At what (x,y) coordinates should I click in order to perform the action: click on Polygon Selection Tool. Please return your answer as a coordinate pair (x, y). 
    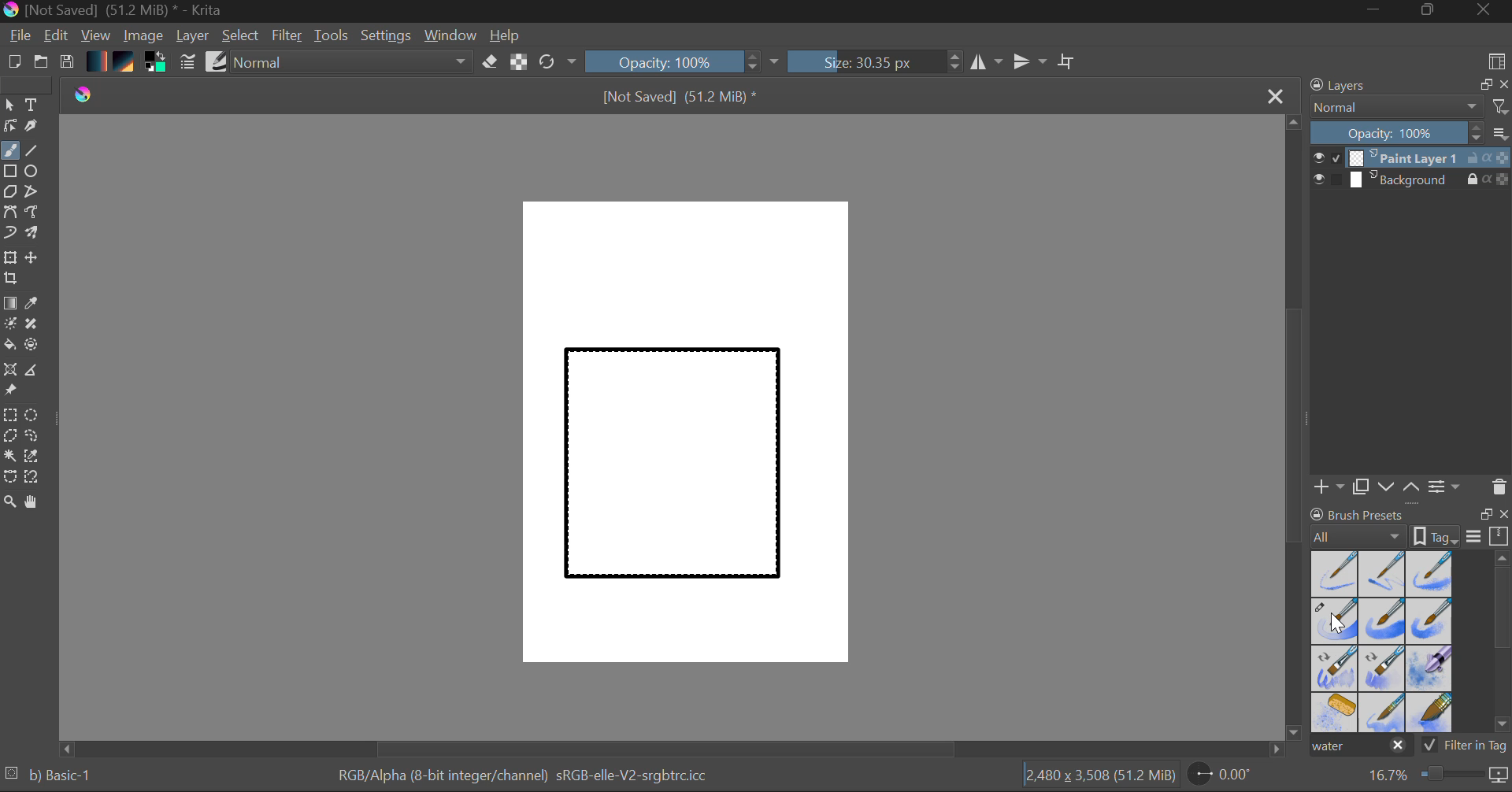
    Looking at the image, I should click on (9, 436).